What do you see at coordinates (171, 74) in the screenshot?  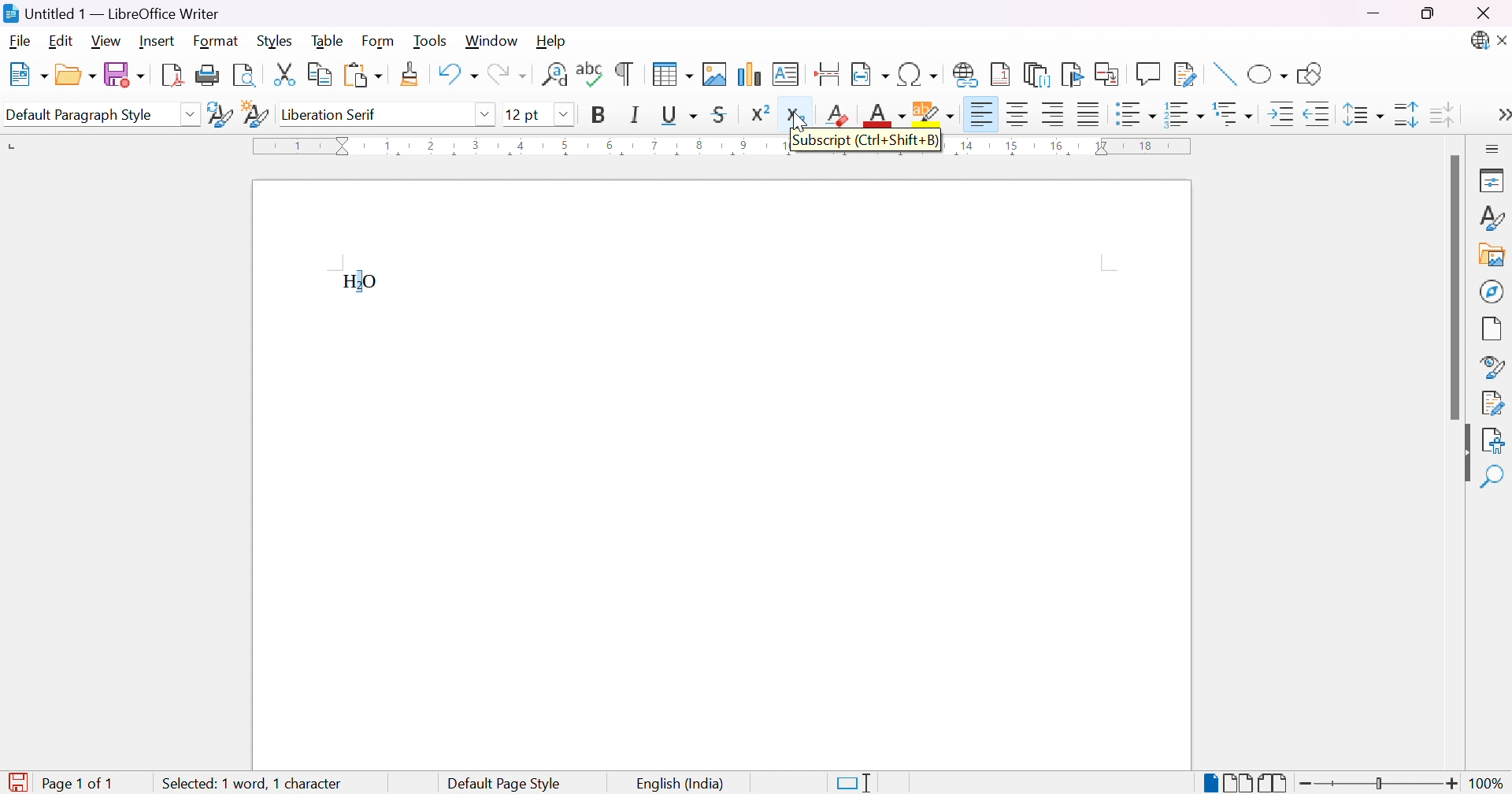 I see `Export as PDF` at bounding box center [171, 74].